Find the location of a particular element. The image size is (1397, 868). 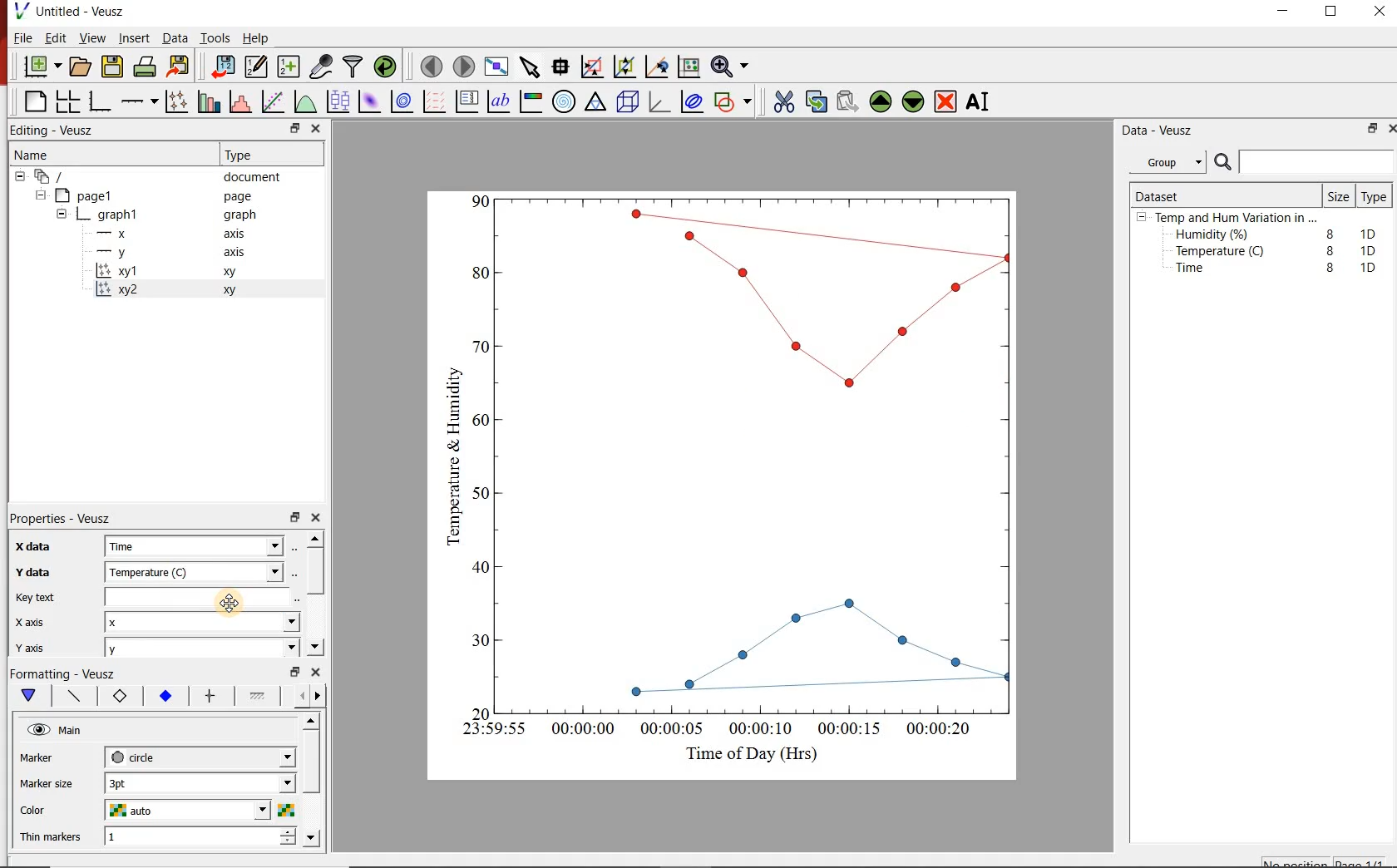

add an axis to a plot is located at coordinates (141, 100).